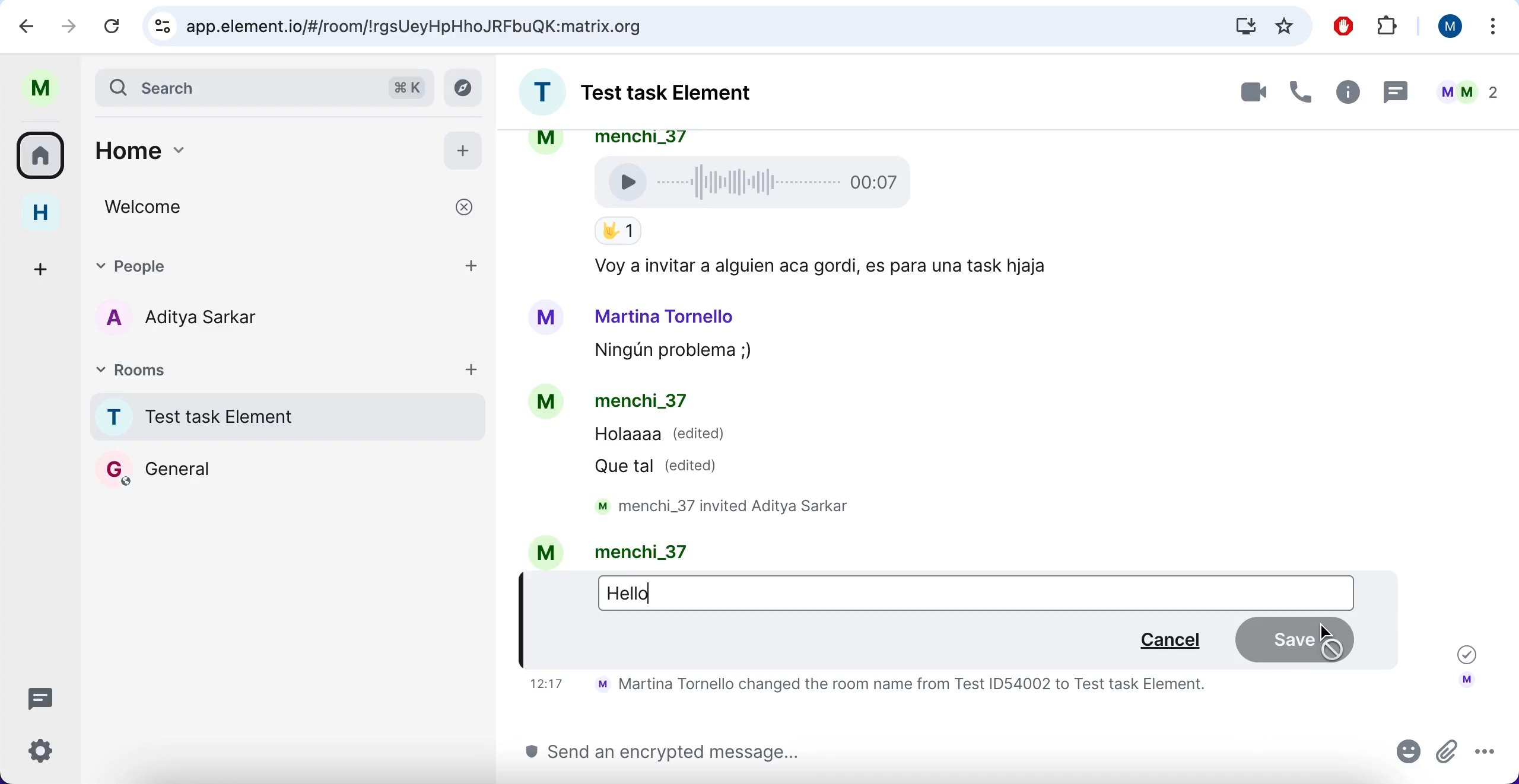  What do you see at coordinates (1165, 641) in the screenshot?
I see `cancel` at bounding box center [1165, 641].